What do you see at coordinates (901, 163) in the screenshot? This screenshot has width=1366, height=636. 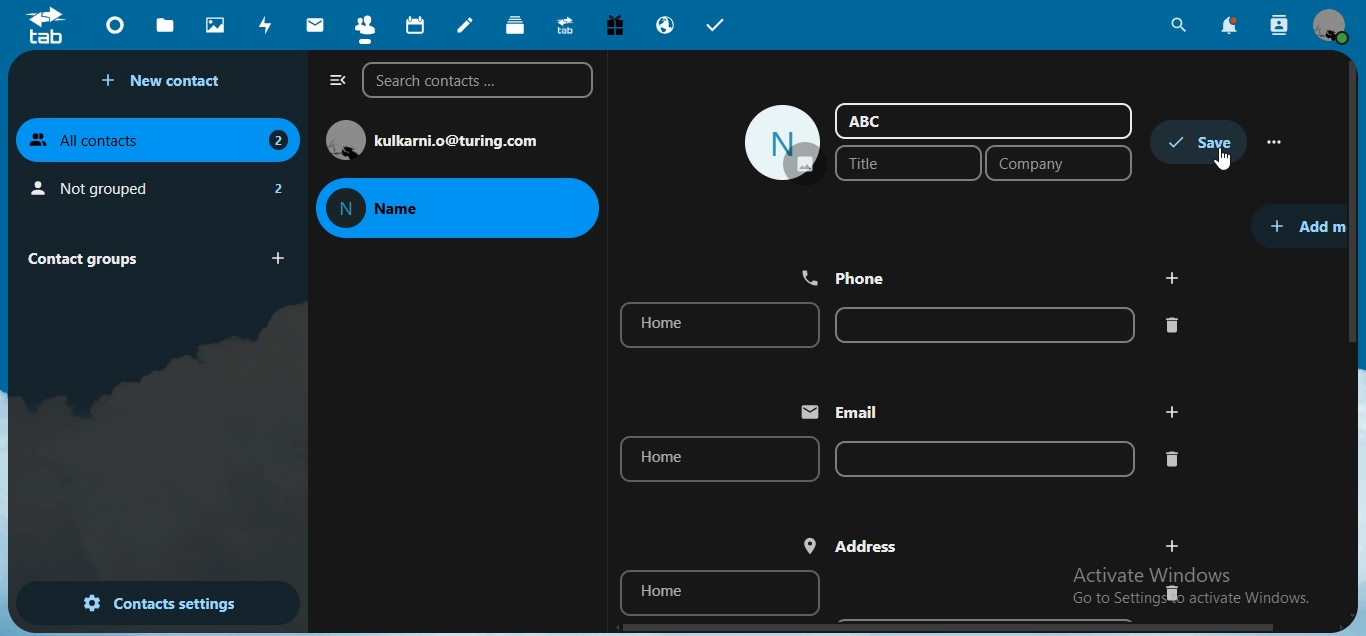 I see `title` at bounding box center [901, 163].